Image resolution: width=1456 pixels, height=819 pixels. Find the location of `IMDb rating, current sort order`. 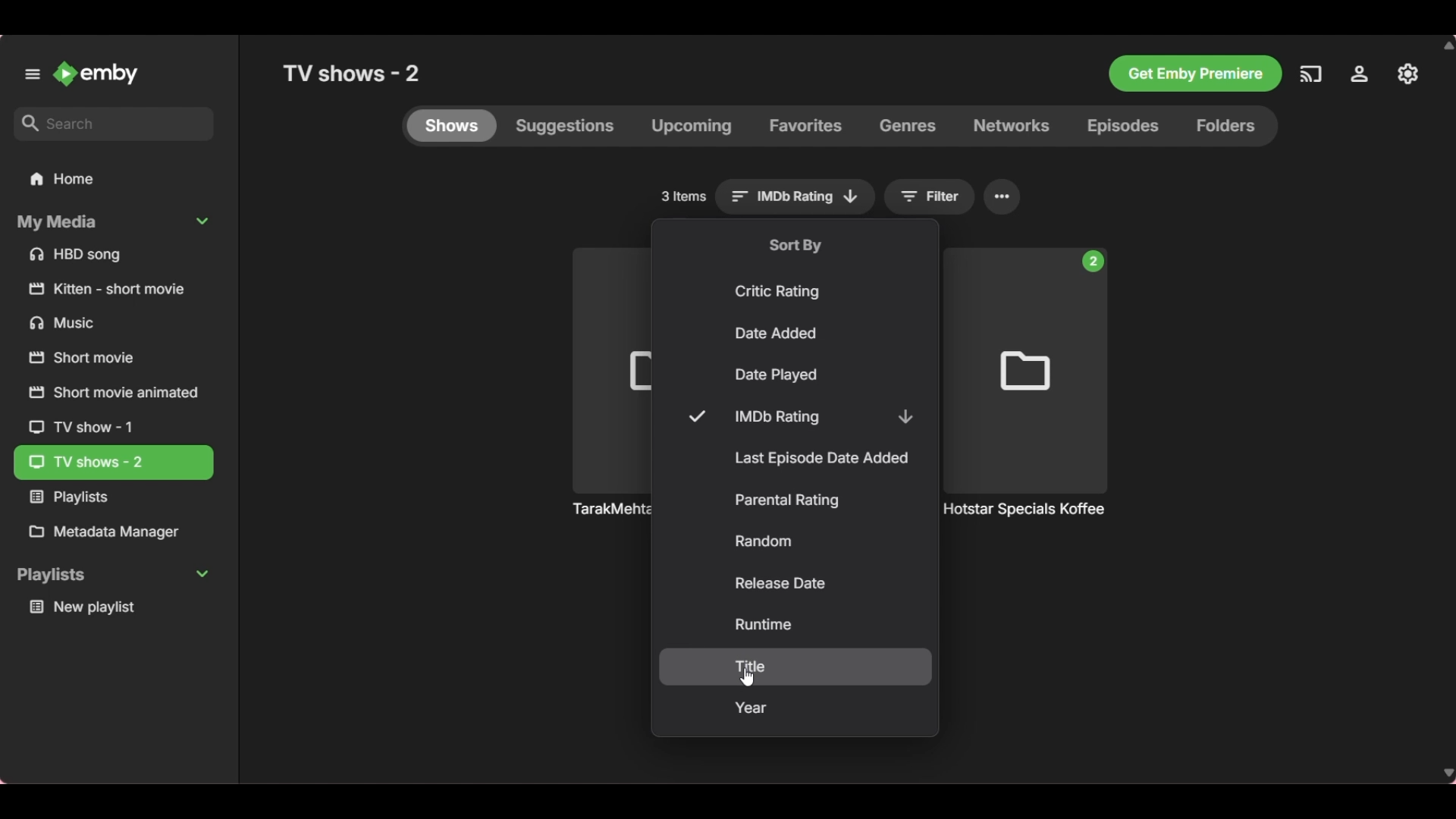

IMDb rating, current sort order is located at coordinates (796, 197).